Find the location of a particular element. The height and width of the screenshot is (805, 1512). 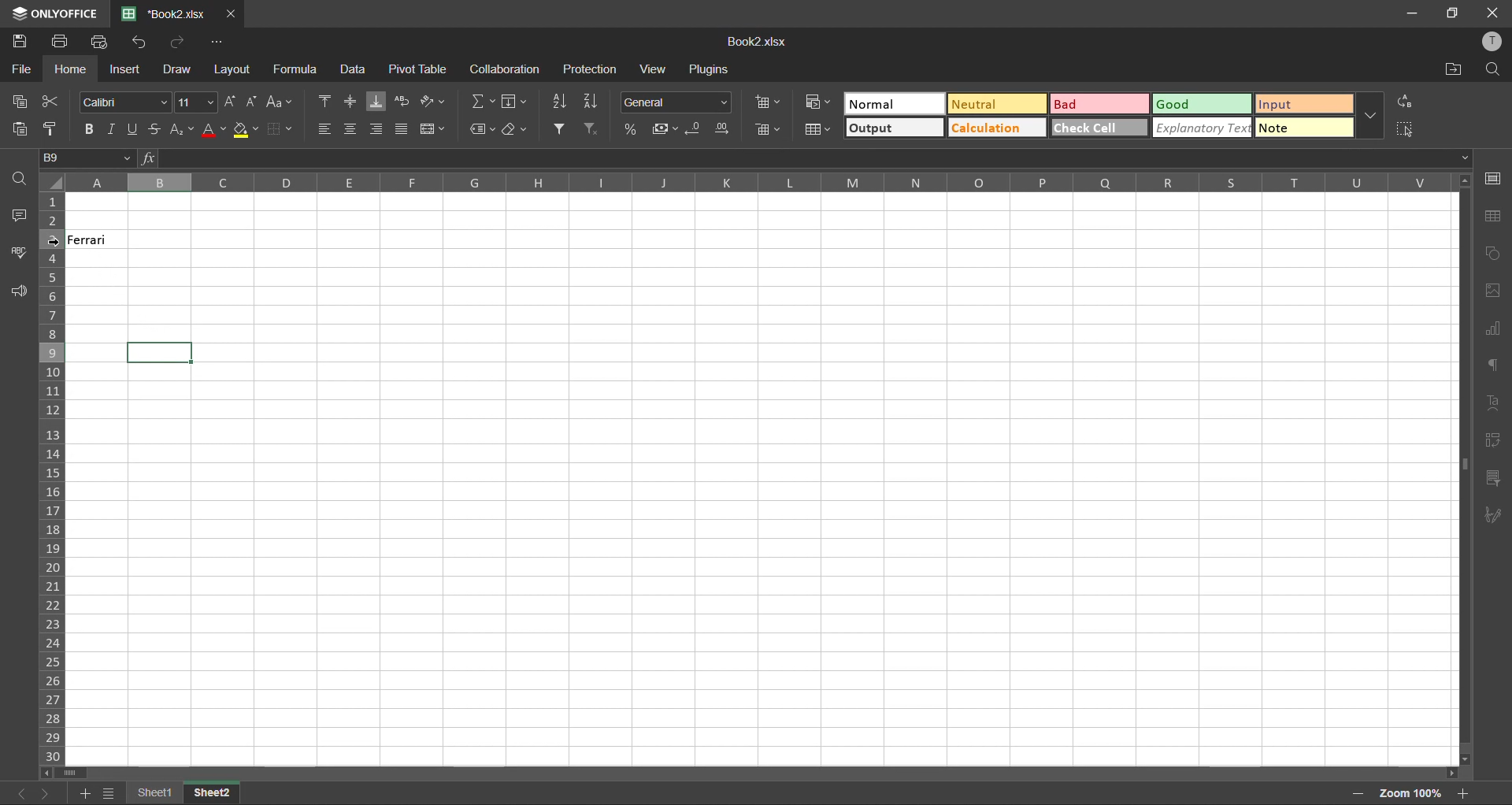

ONLY OFFICE is located at coordinates (54, 13).